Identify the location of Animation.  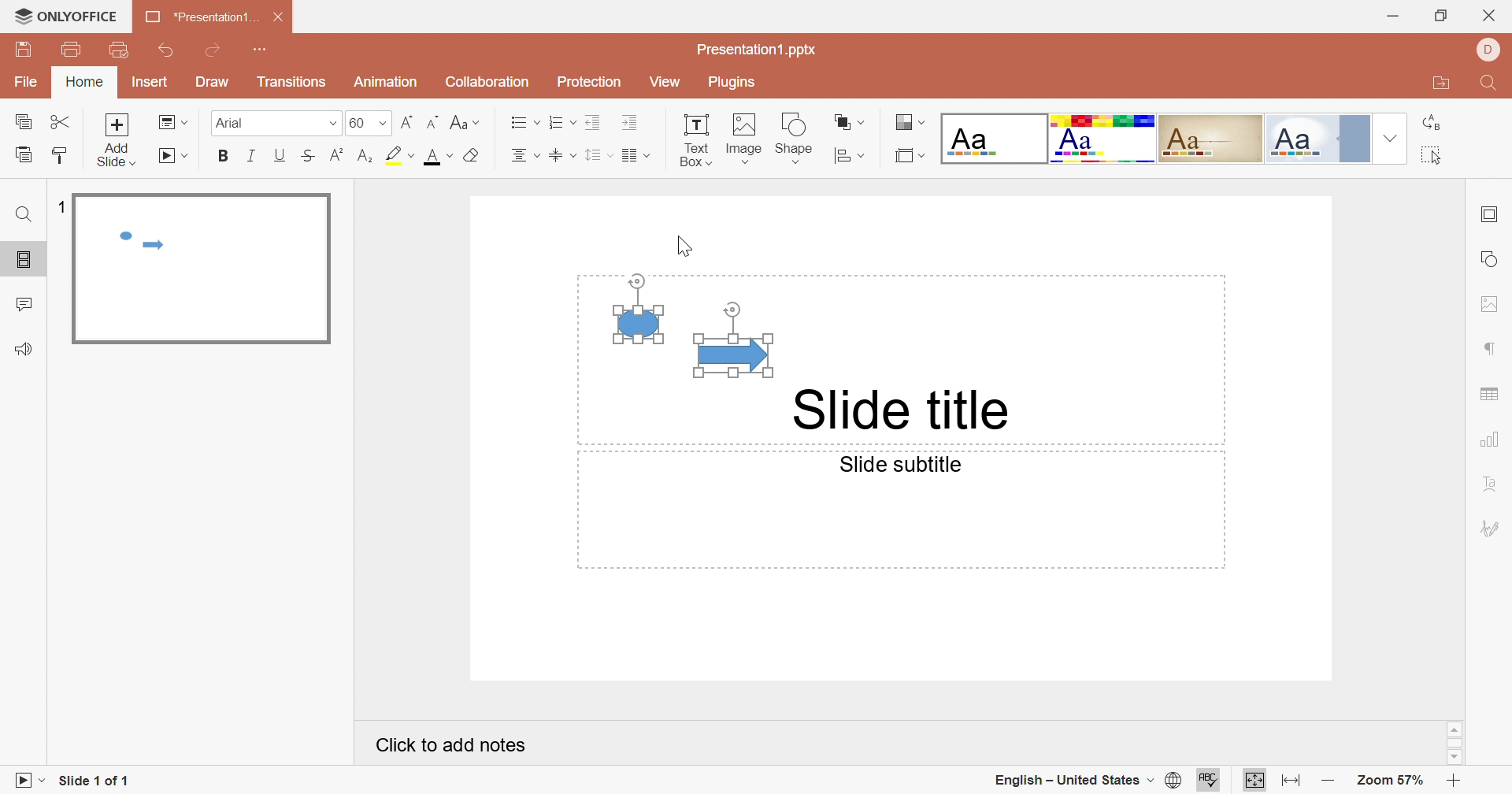
(387, 83).